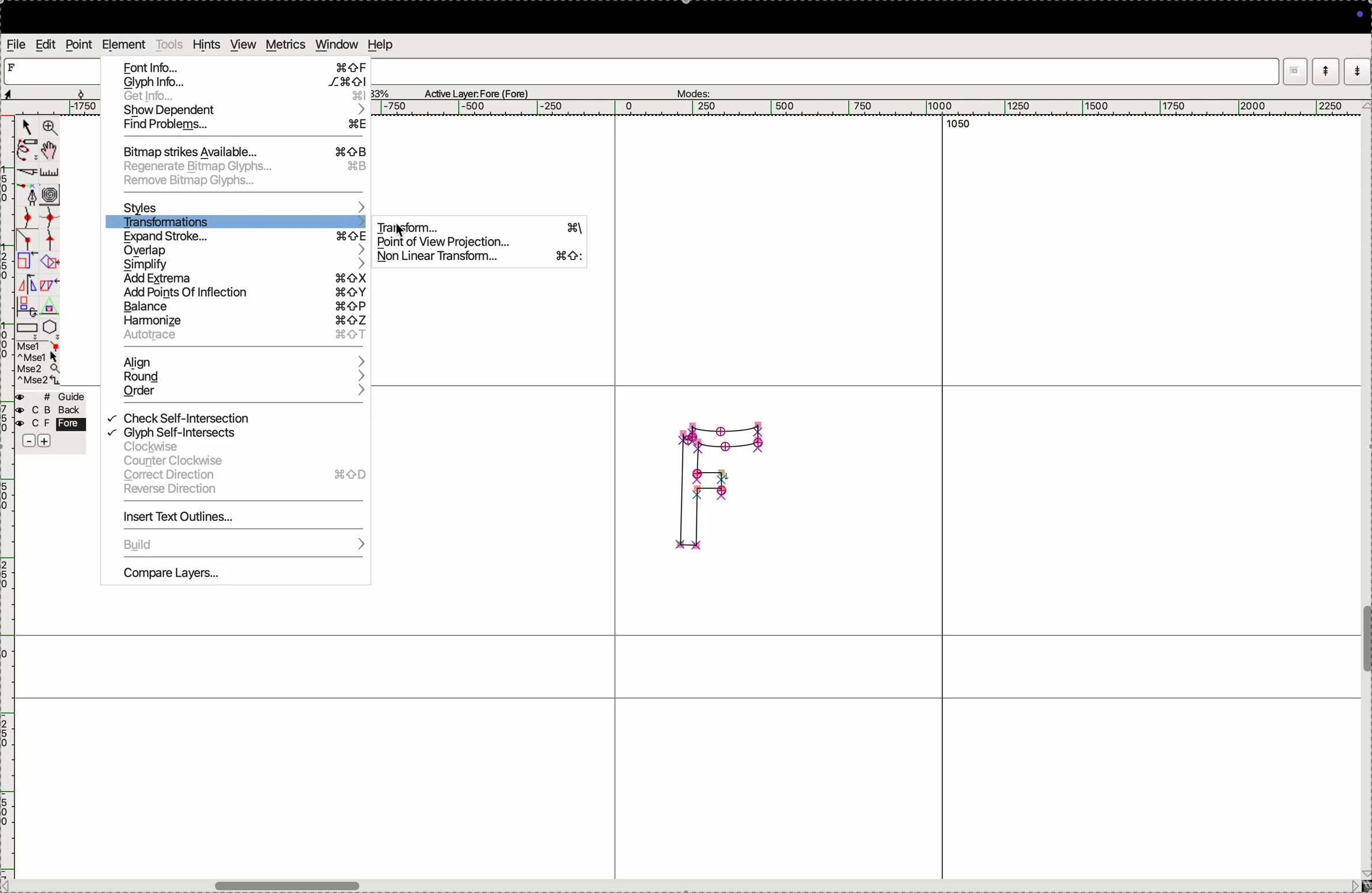 This screenshot has width=1372, height=893. What do you see at coordinates (246, 82) in the screenshot?
I see `glyph info` at bounding box center [246, 82].